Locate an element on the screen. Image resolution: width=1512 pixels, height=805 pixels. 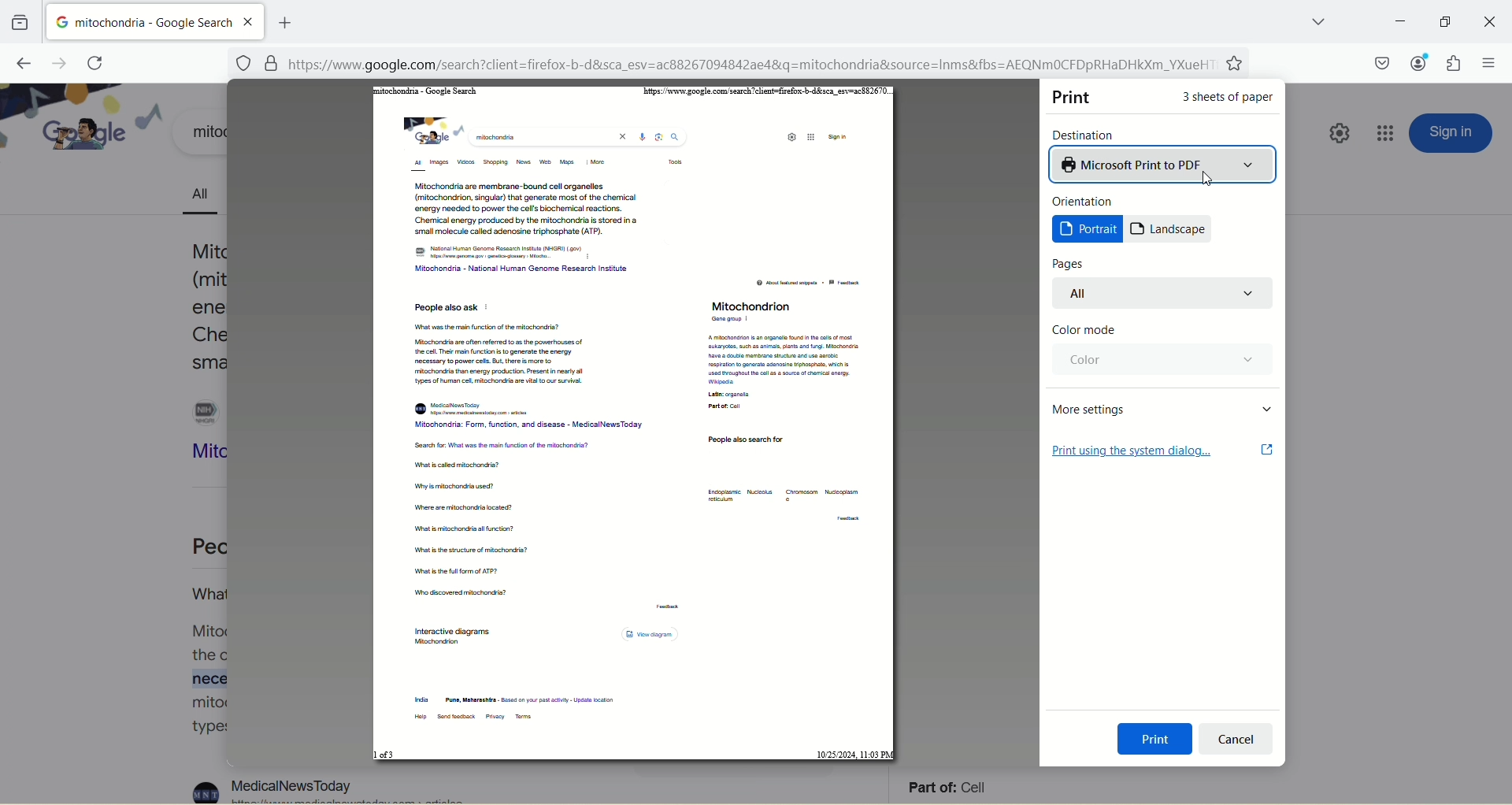
view recent browsing across windows and devices is located at coordinates (20, 22).